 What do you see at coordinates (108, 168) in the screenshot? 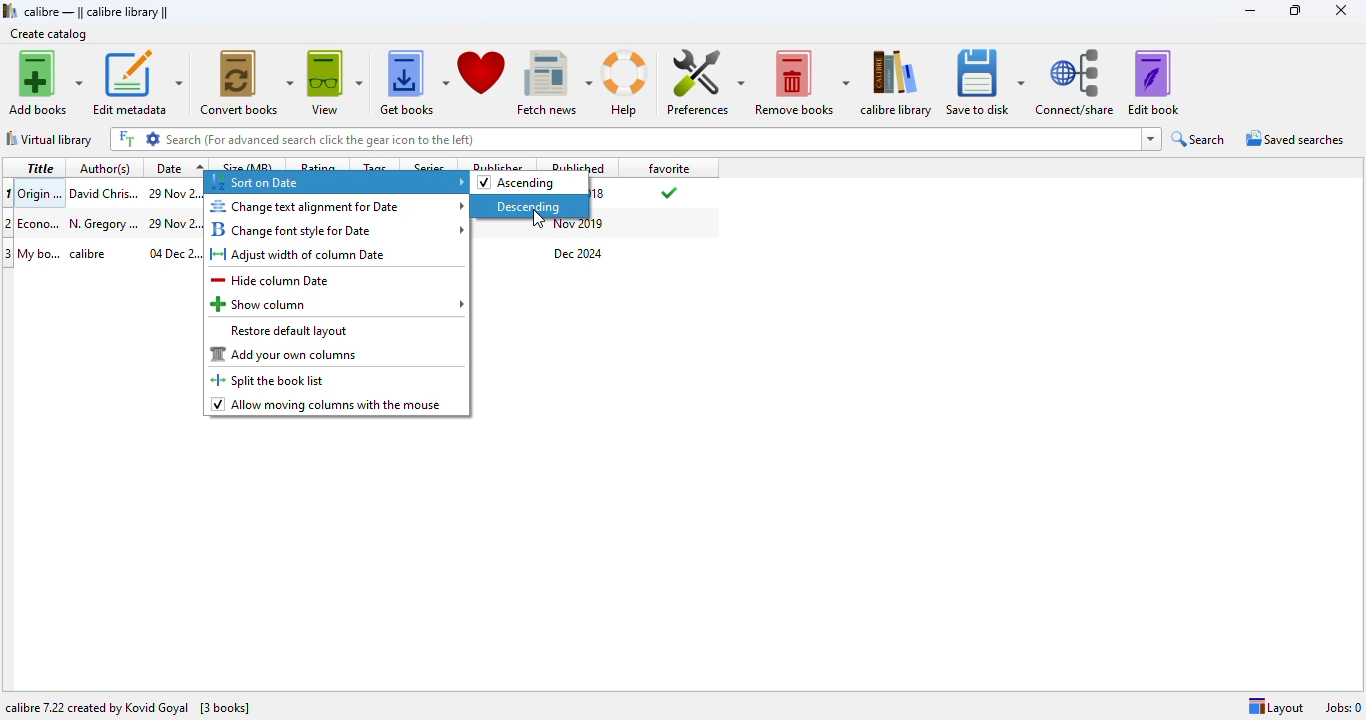
I see `author(s)` at bounding box center [108, 168].